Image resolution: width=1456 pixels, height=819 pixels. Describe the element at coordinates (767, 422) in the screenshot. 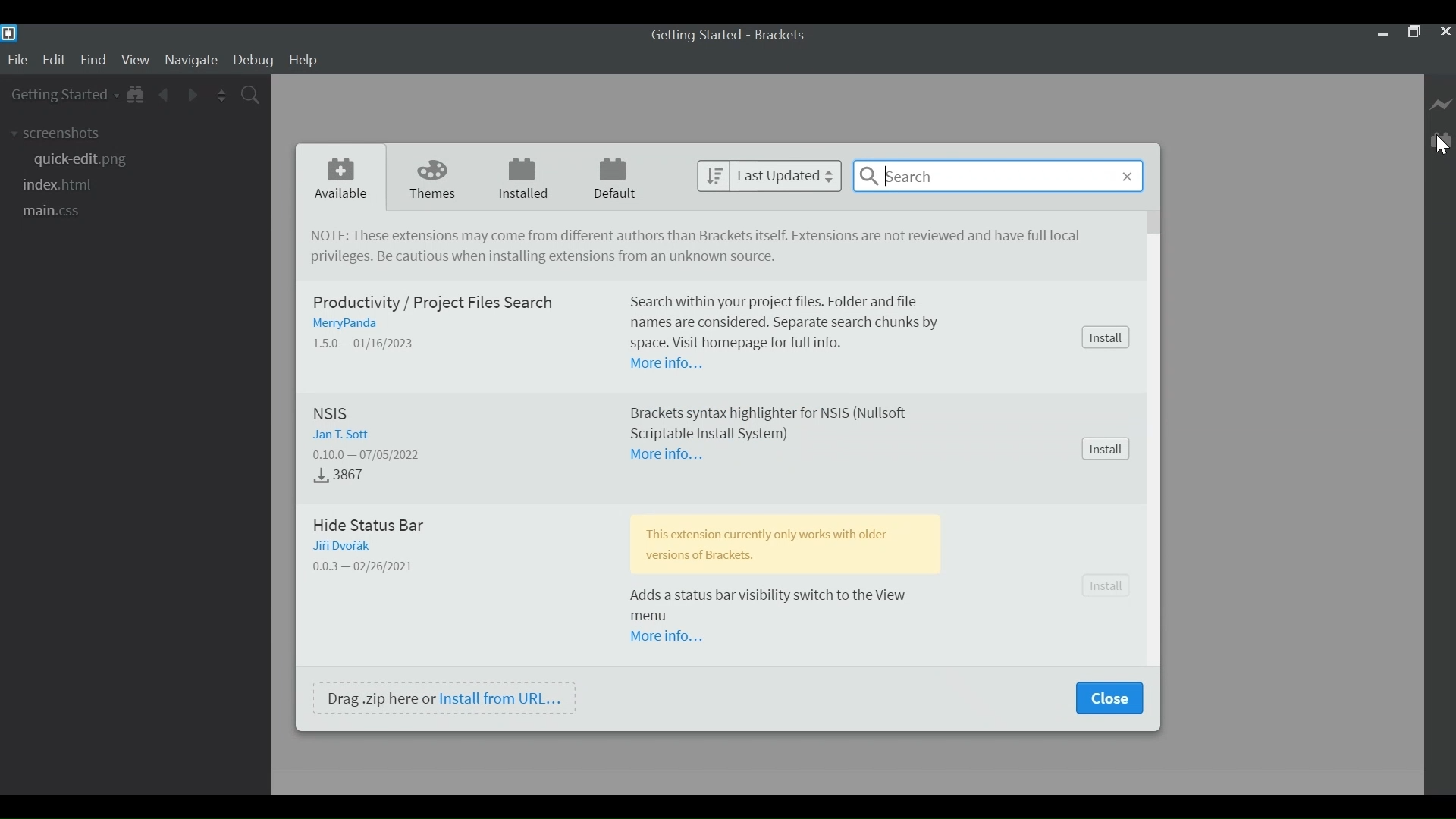

I see `Brackets syntax highlighter for NSIS (Nullsoft
Scriptable Install System)` at that location.